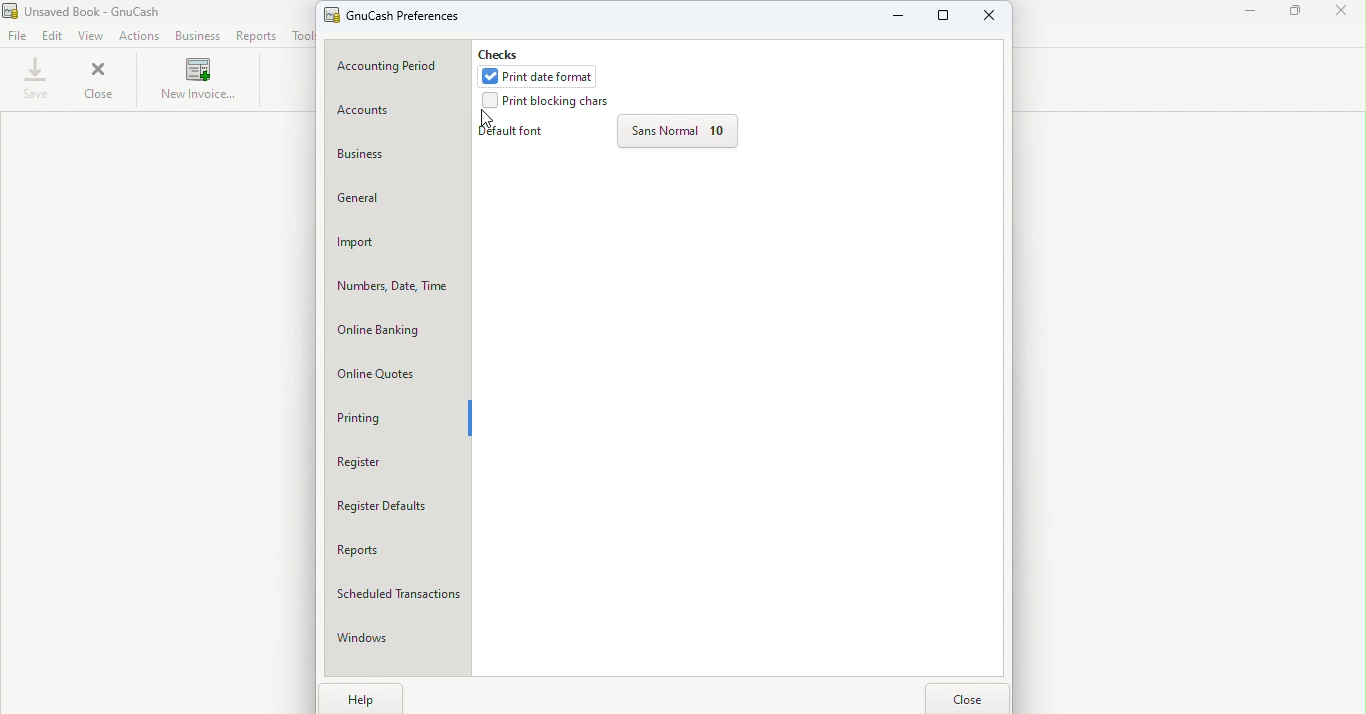 Image resolution: width=1366 pixels, height=714 pixels. Describe the element at coordinates (397, 507) in the screenshot. I see `Register defaults` at that location.